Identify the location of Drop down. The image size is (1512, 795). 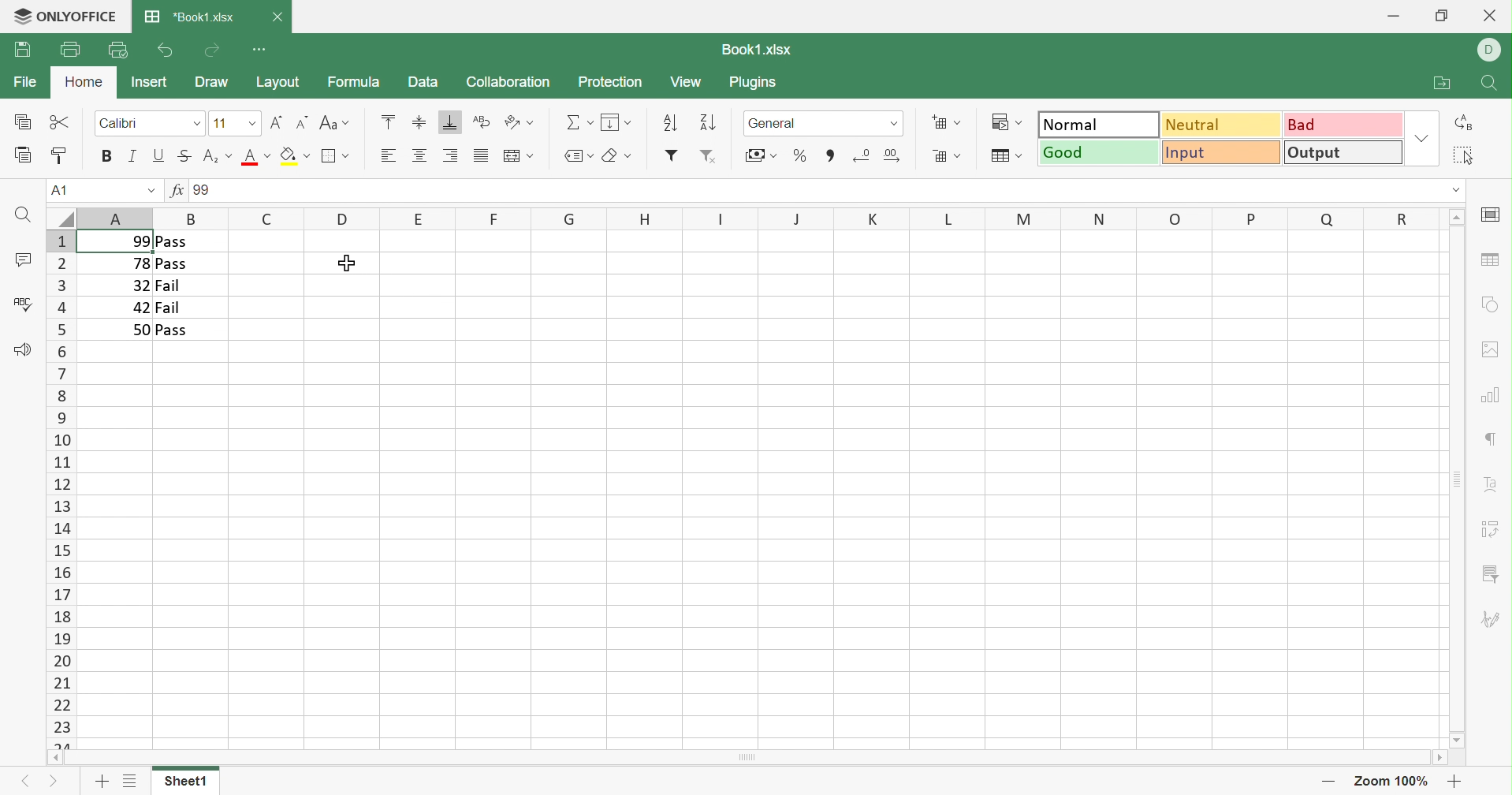
(151, 192).